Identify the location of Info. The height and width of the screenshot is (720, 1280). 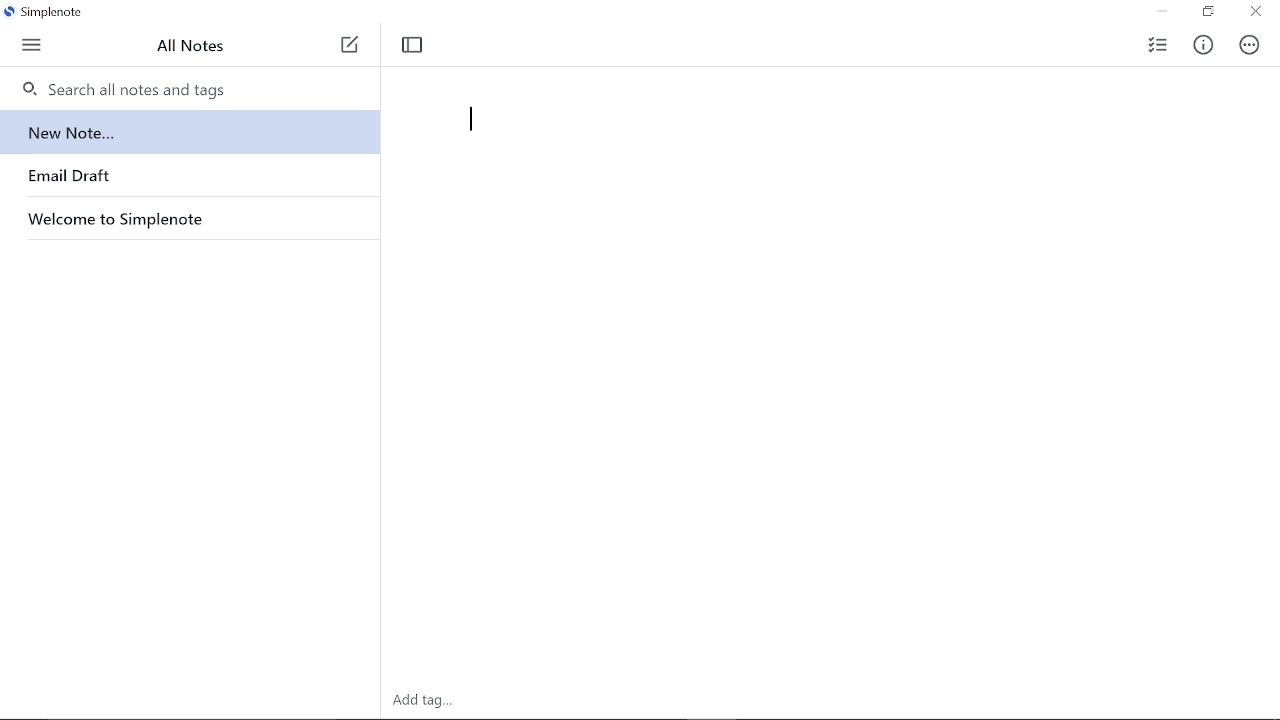
(1202, 44).